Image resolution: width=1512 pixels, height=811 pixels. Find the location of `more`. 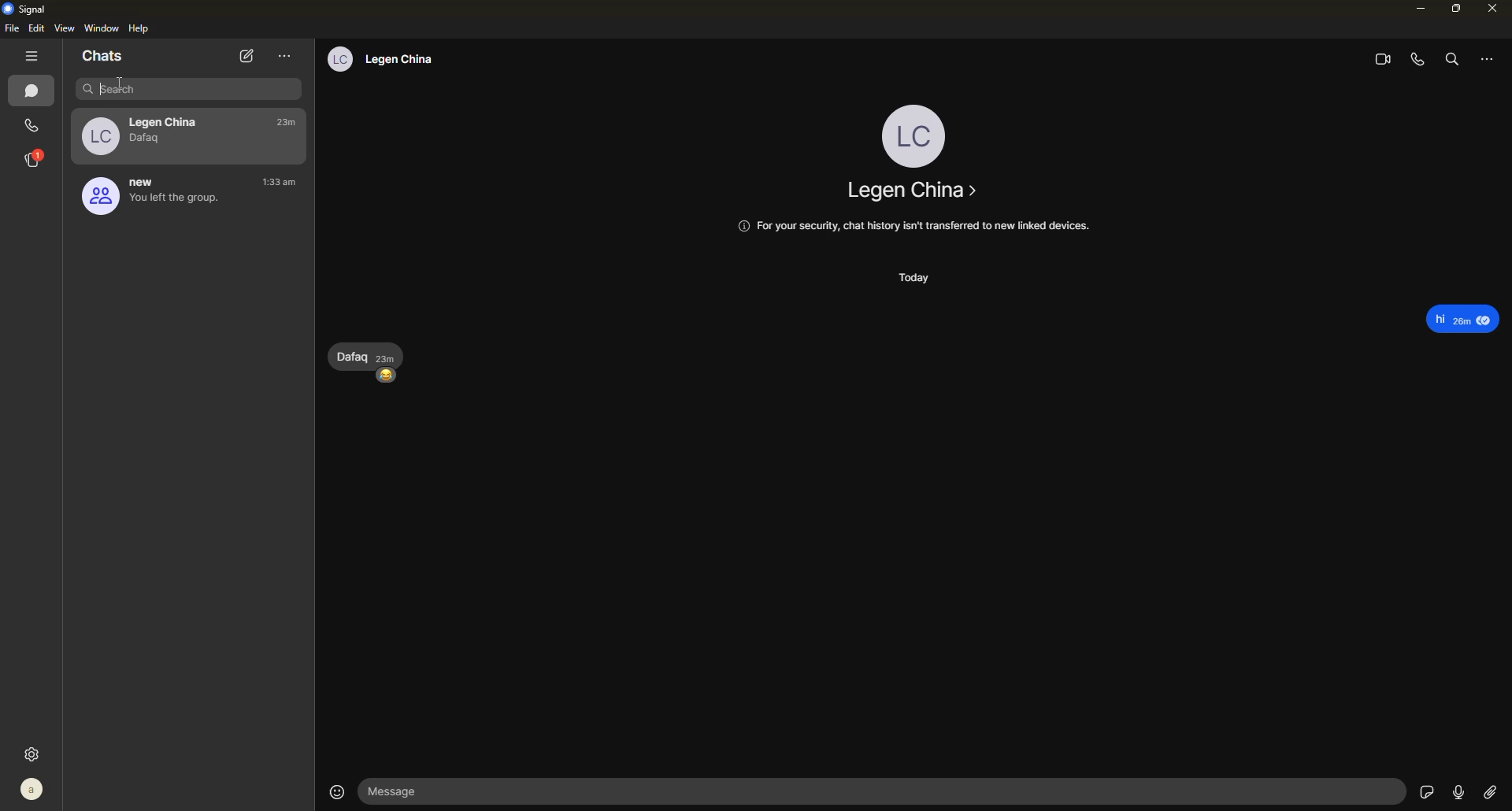

more is located at coordinates (1485, 61).